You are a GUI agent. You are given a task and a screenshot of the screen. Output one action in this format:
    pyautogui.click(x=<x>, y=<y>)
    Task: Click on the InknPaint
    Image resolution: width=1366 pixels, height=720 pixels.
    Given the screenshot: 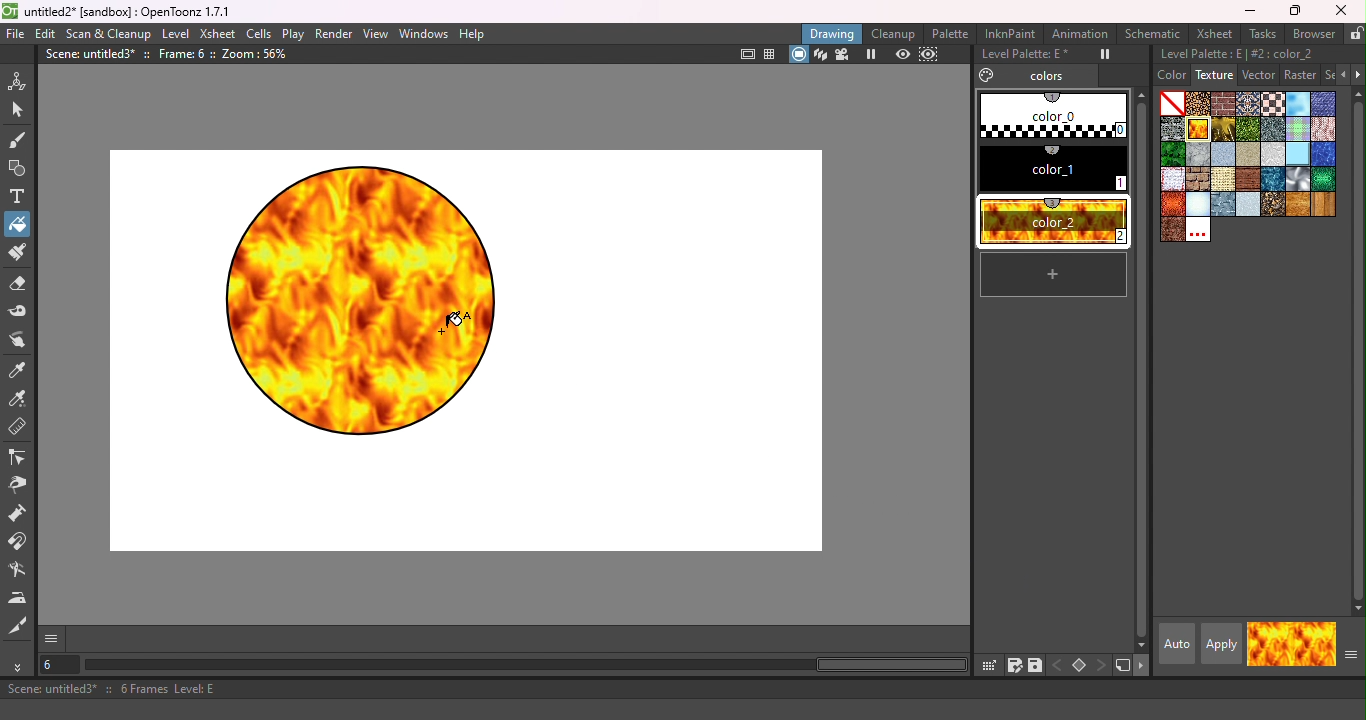 What is the action you would take?
    pyautogui.click(x=1013, y=33)
    